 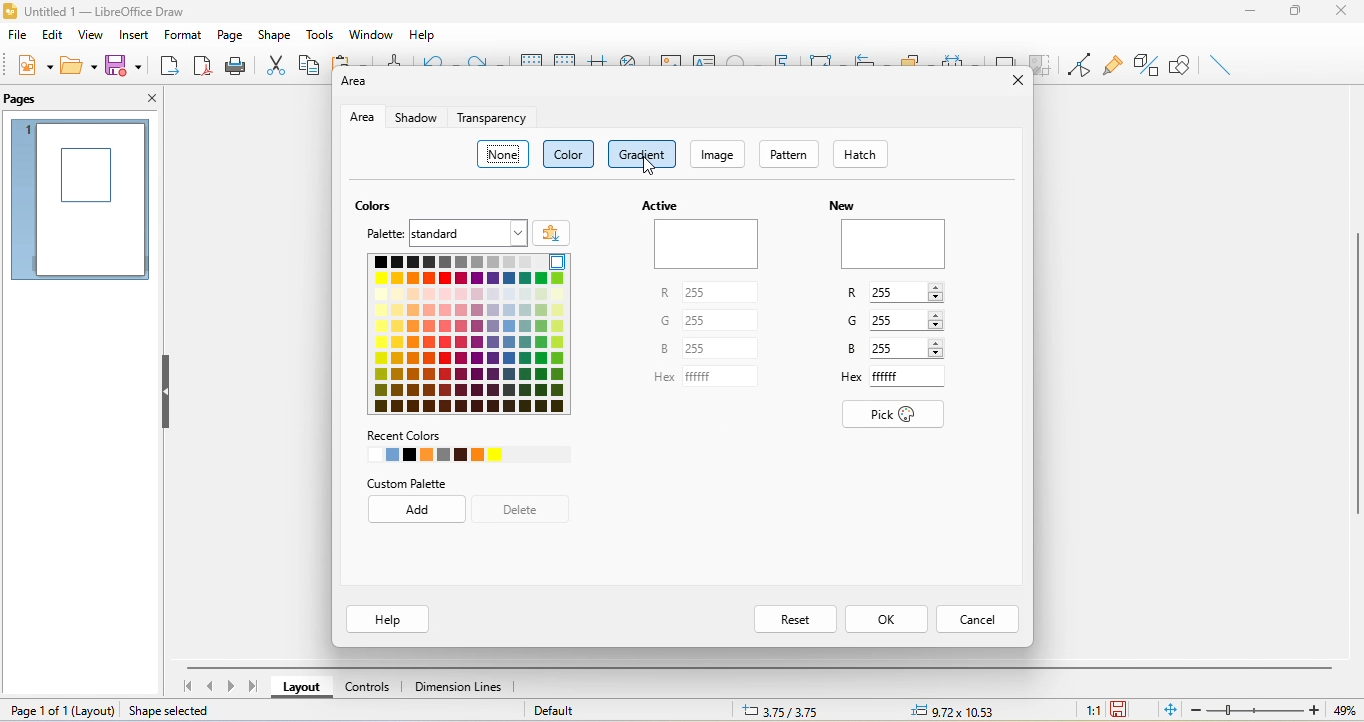 What do you see at coordinates (652, 170) in the screenshot?
I see `cursor movement` at bounding box center [652, 170].